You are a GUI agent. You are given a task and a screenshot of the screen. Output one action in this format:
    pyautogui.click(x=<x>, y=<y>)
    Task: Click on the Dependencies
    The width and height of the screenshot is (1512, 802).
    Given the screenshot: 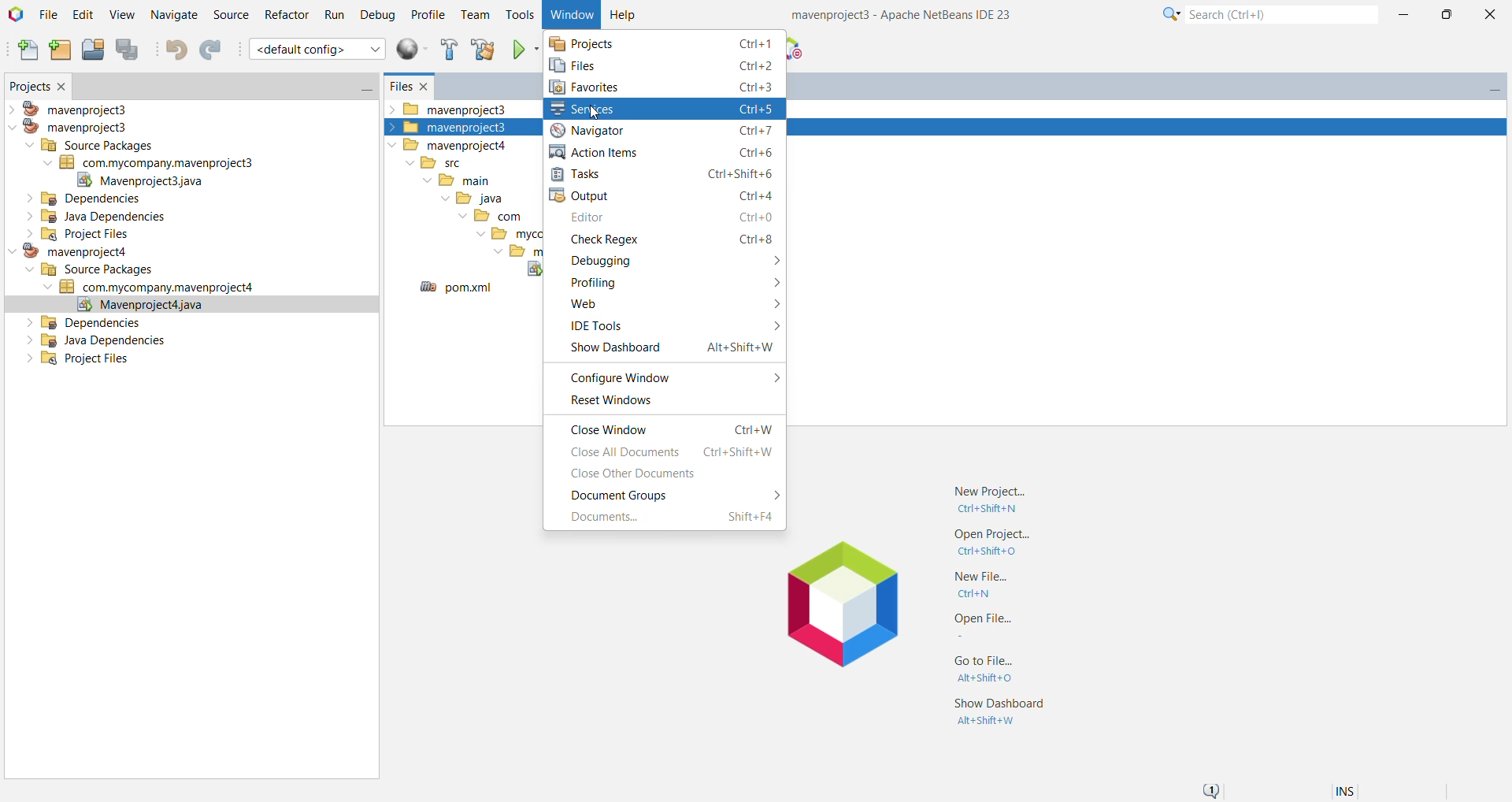 What is the action you would take?
    pyautogui.click(x=85, y=323)
    